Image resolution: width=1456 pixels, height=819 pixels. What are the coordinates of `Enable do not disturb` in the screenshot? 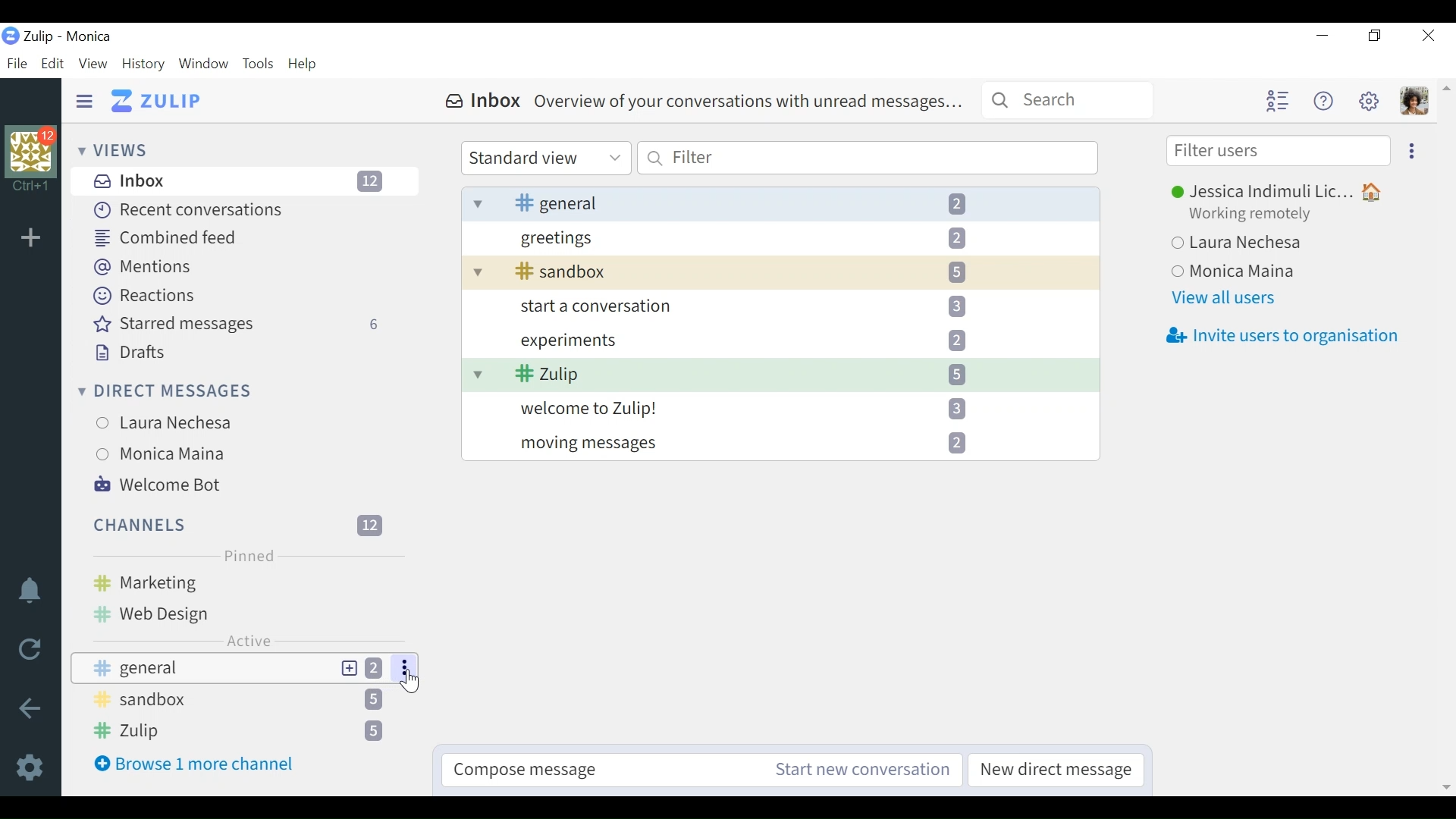 It's located at (33, 593).